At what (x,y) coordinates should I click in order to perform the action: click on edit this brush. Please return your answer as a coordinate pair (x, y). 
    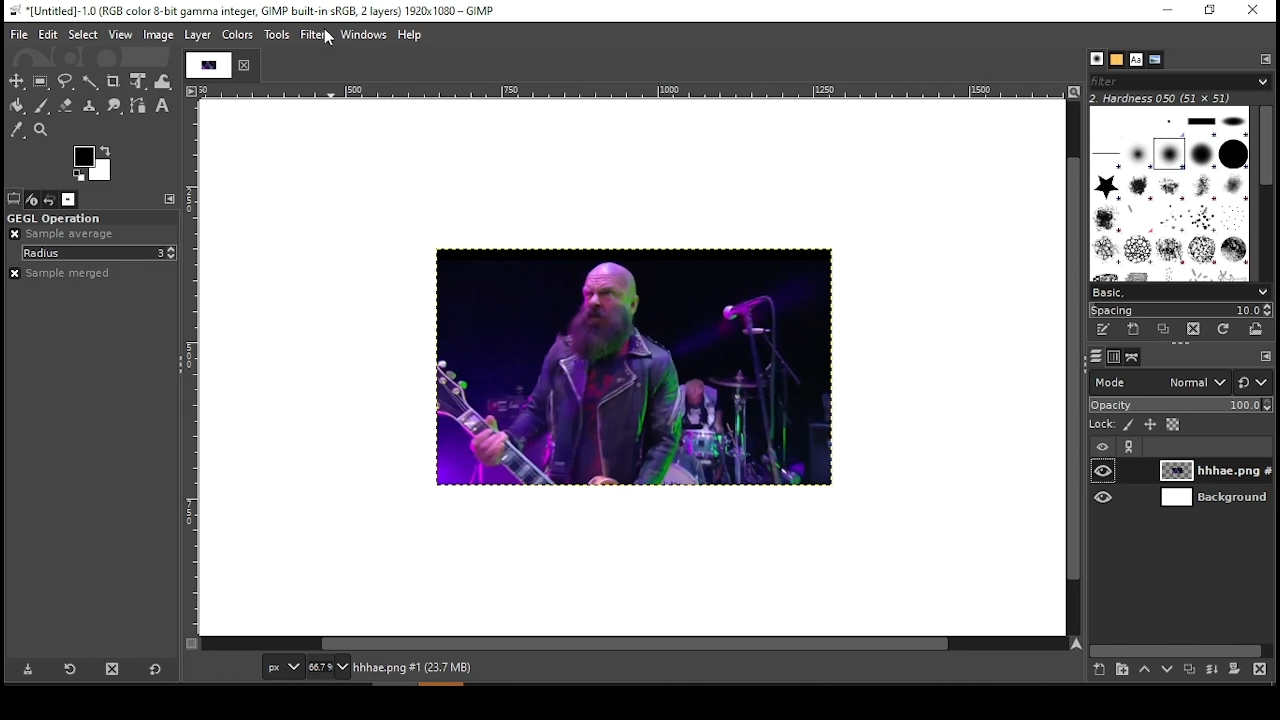
    Looking at the image, I should click on (1107, 332).